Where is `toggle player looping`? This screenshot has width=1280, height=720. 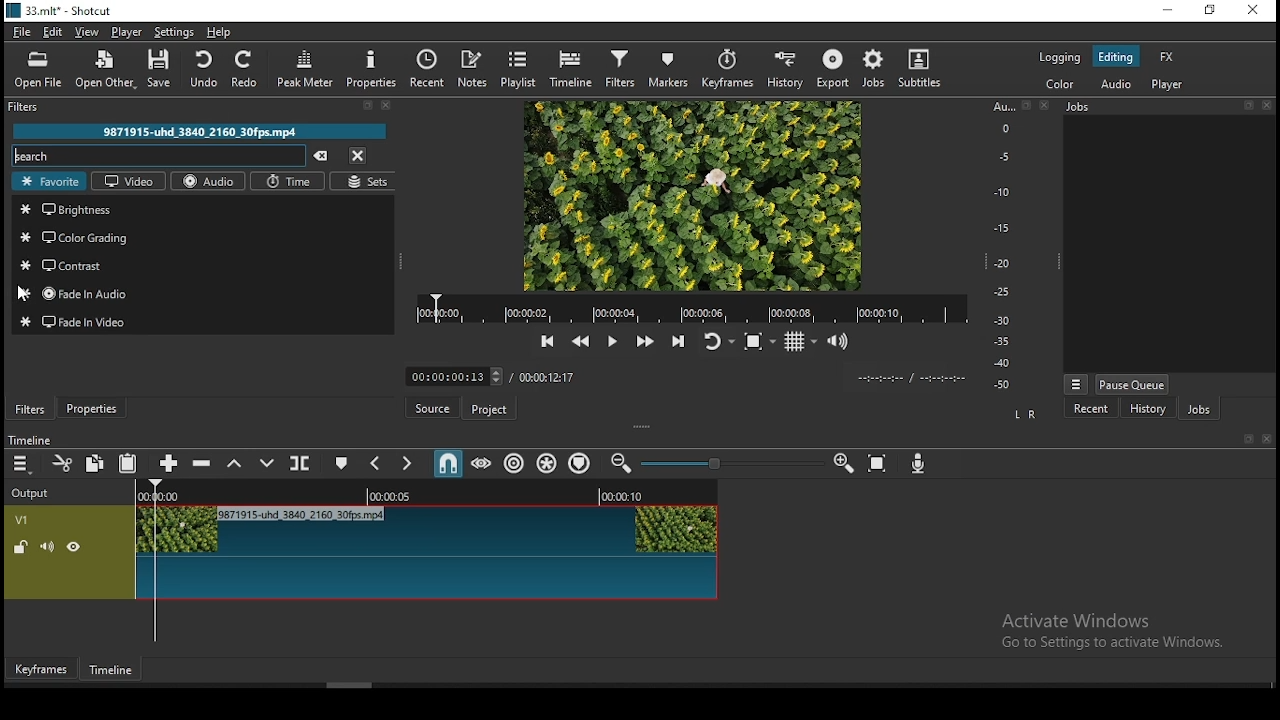 toggle player looping is located at coordinates (721, 341).